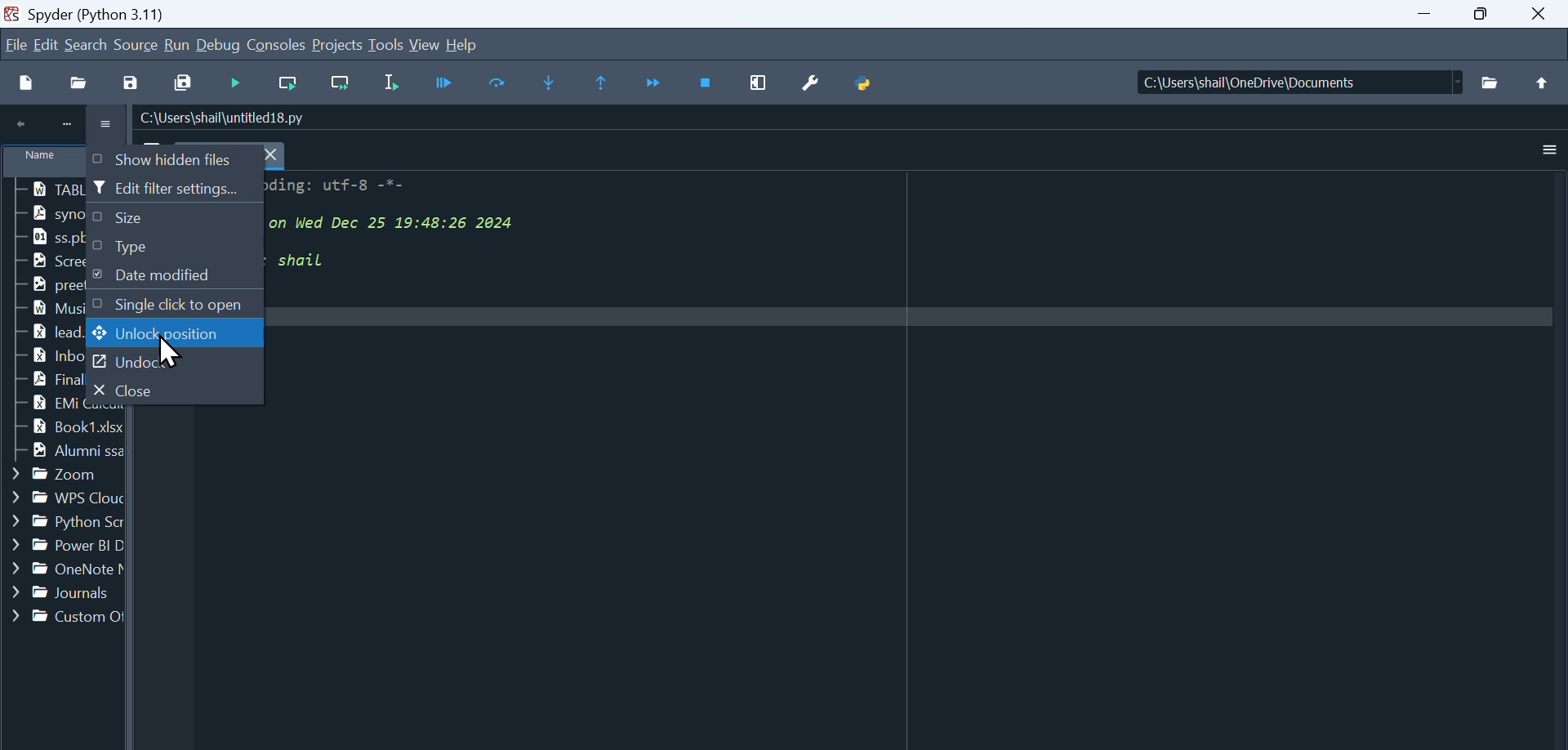  I want to click on EM: Calcul:.., so click(40, 404).